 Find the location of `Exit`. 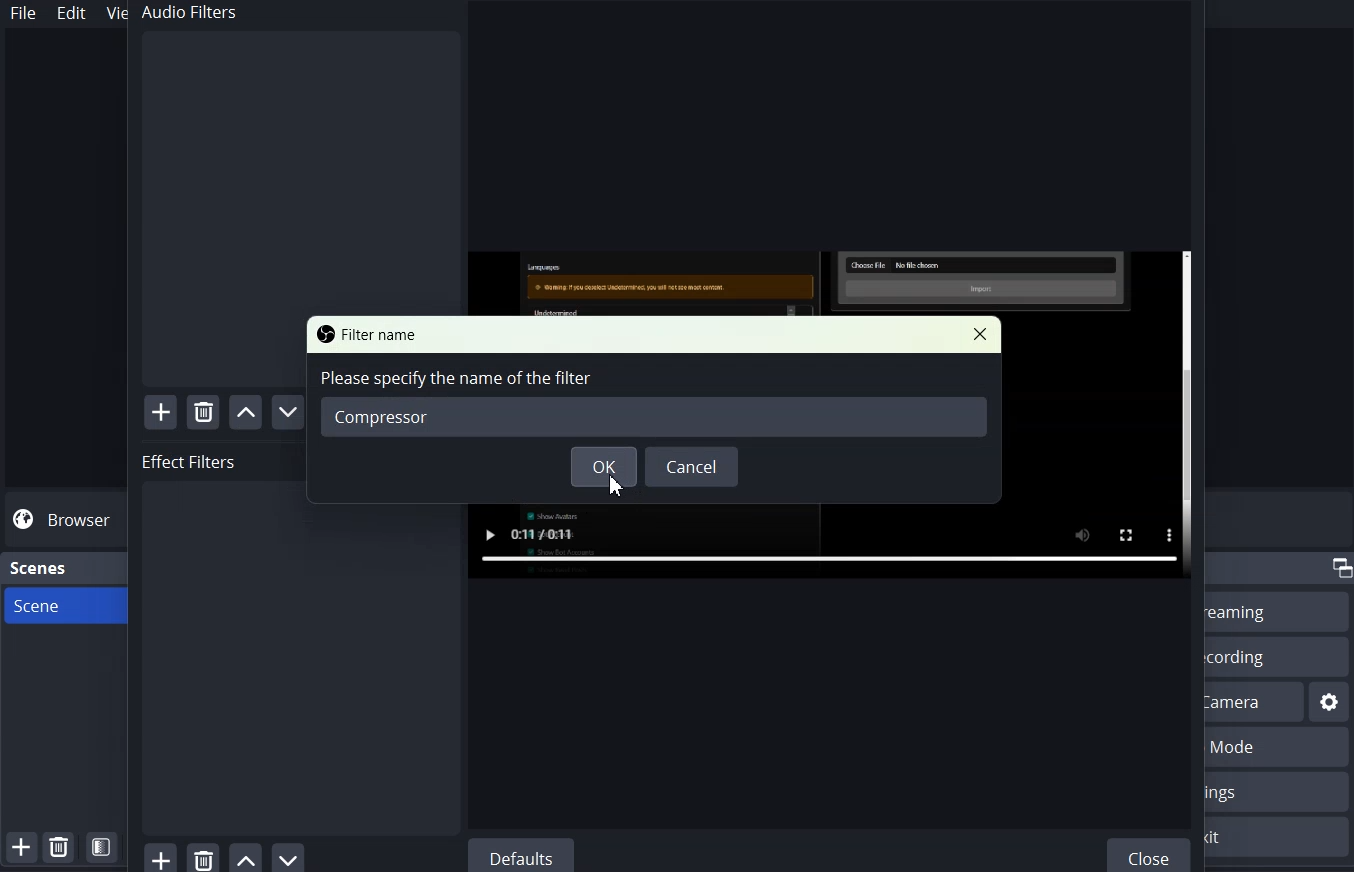

Exit is located at coordinates (1279, 837).